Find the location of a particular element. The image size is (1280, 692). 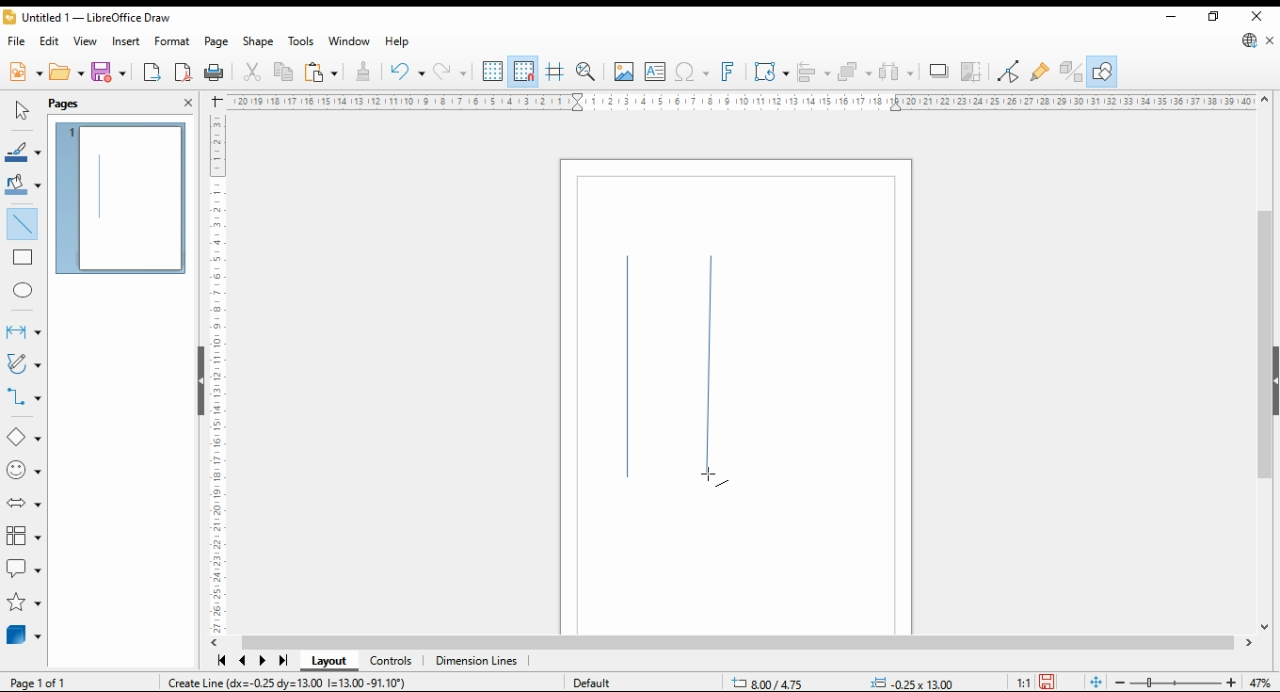

paste is located at coordinates (319, 72).